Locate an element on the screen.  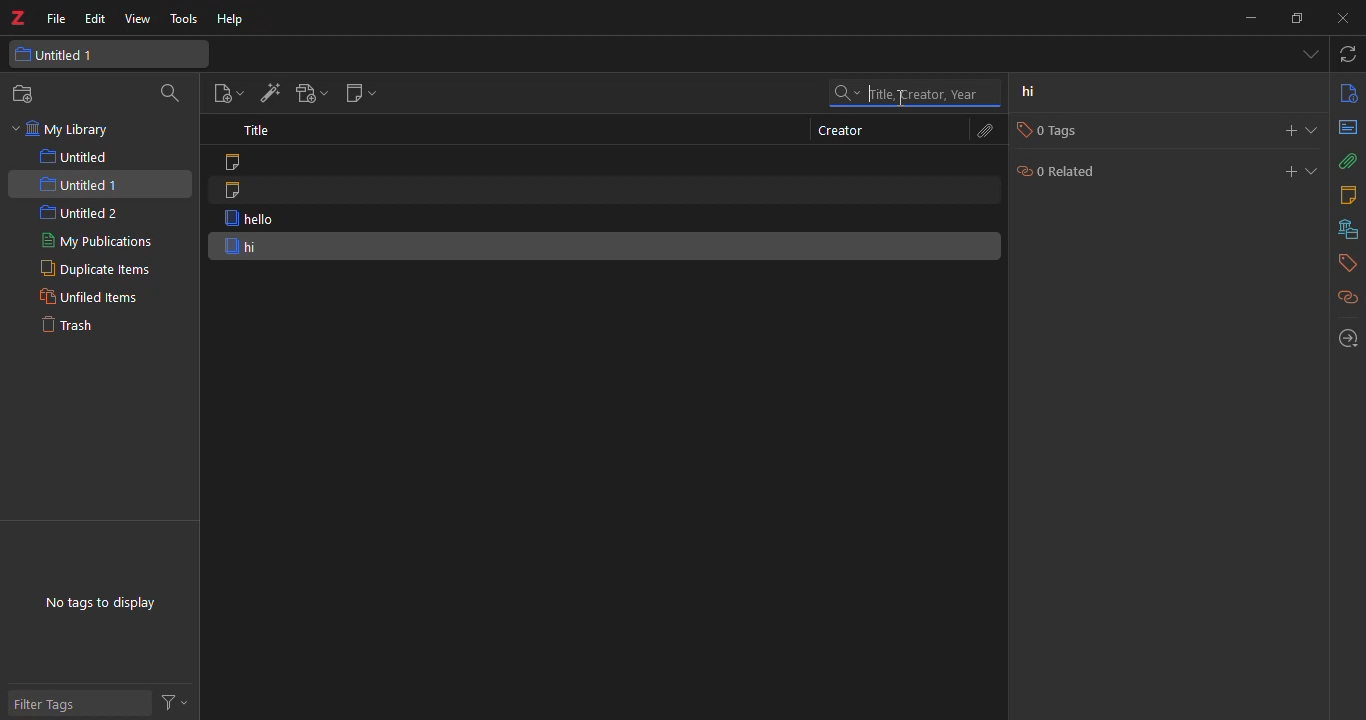
cursor is located at coordinates (896, 102).